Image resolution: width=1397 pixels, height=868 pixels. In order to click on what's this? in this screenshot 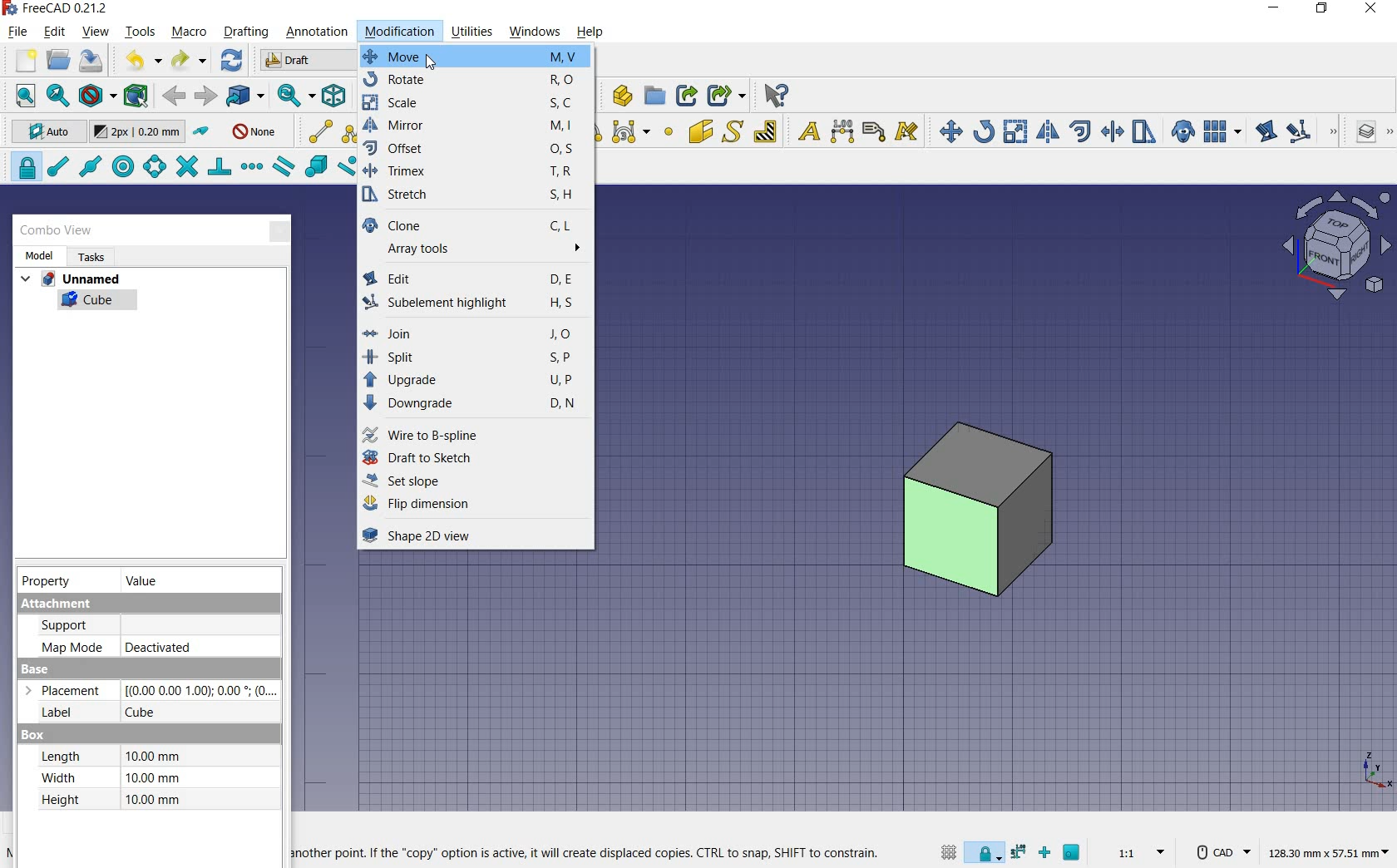, I will do `click(774, 96)`.